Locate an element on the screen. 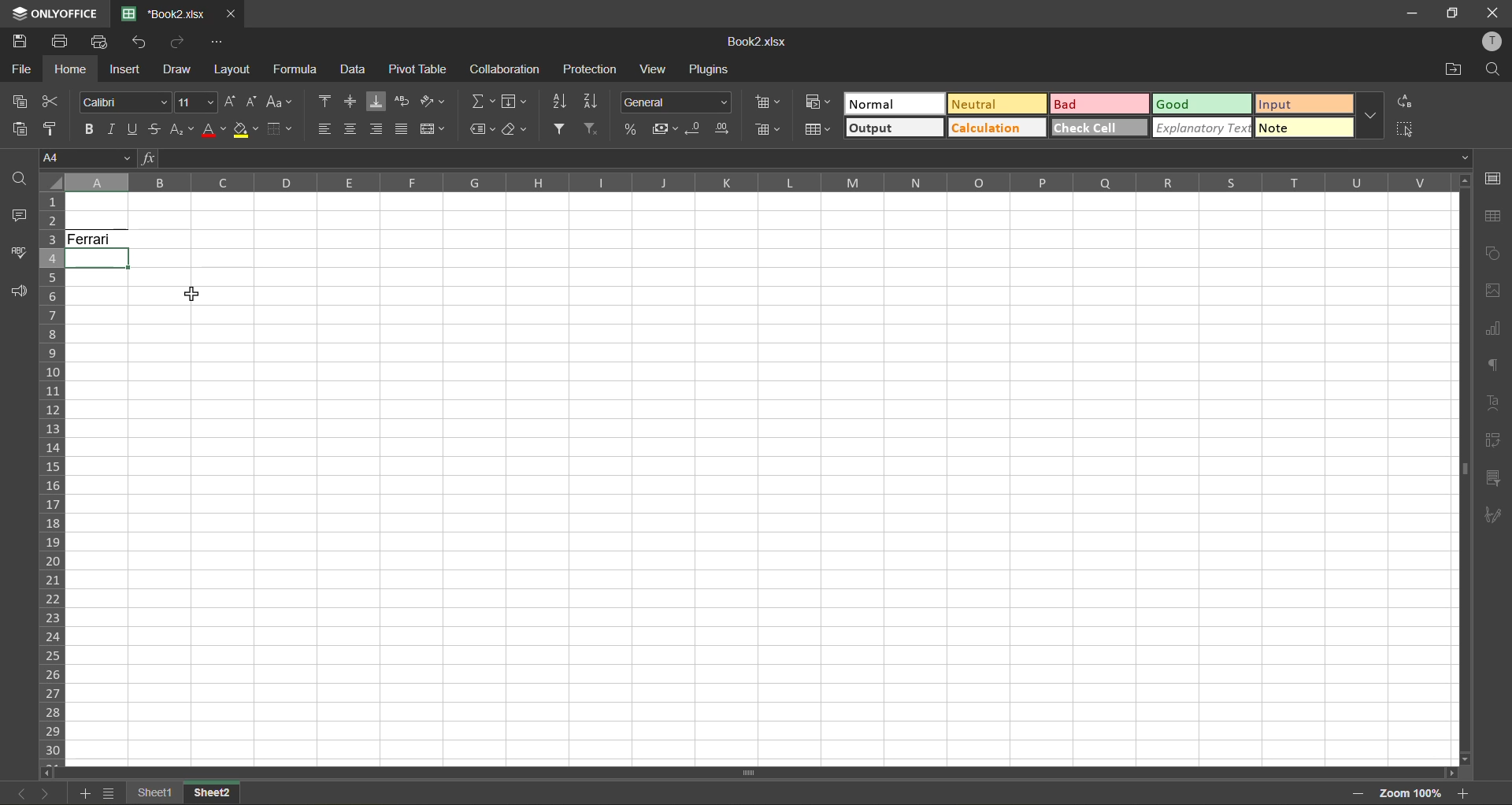  select all is located at coordinates (1408, 129).